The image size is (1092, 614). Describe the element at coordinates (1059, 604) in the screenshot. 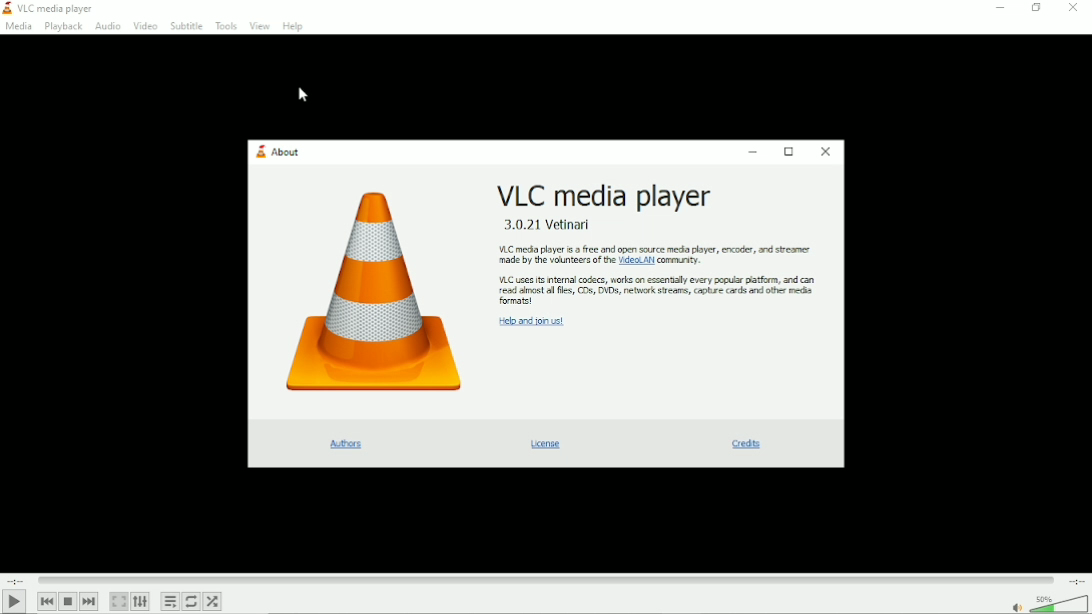

I see `Volume` at that location.